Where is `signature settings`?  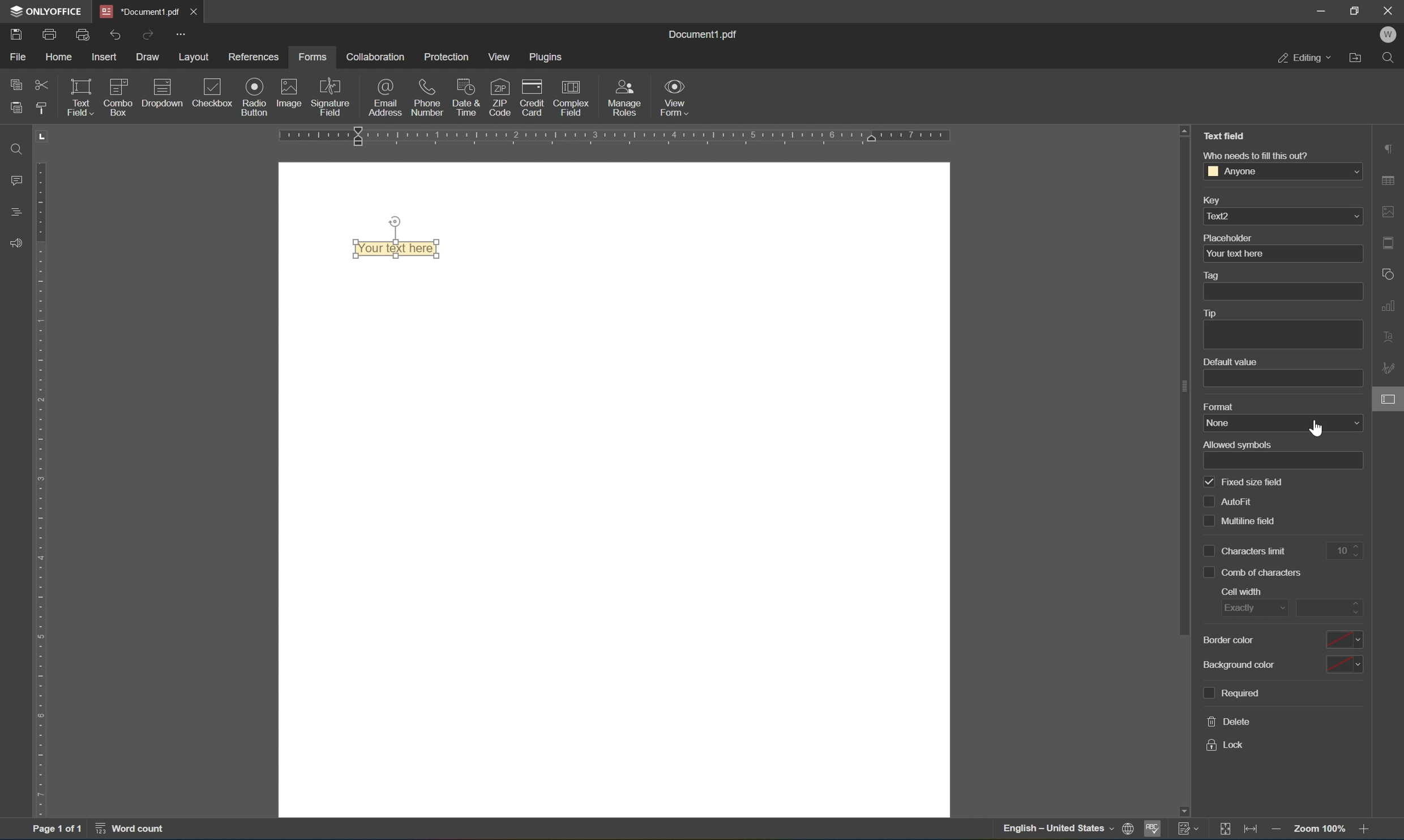 signature settings is located at coordinates (1388, 365).